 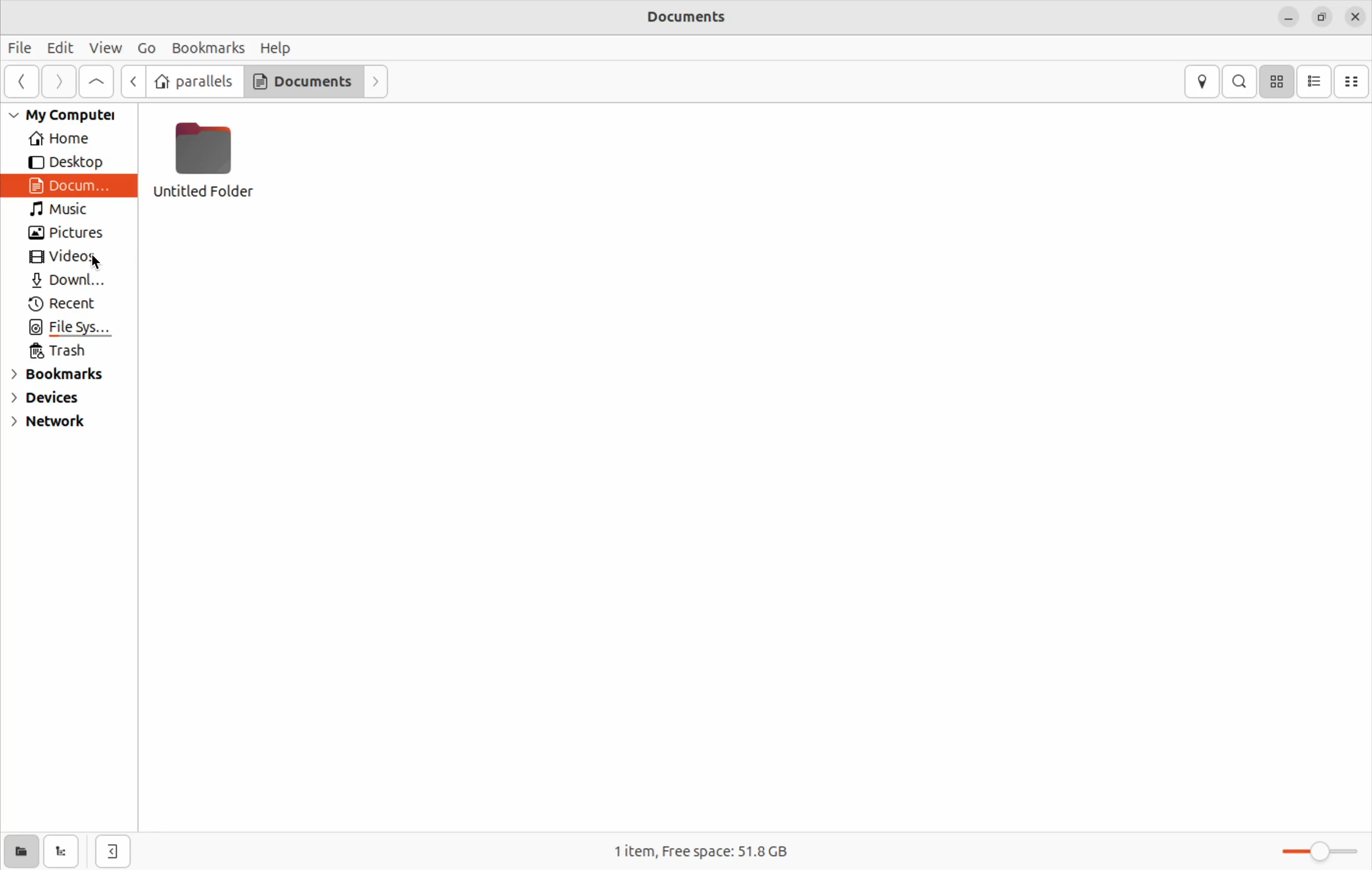 I want to click on 1 item free space 51.8 Gb, so click(x=700, y=846).